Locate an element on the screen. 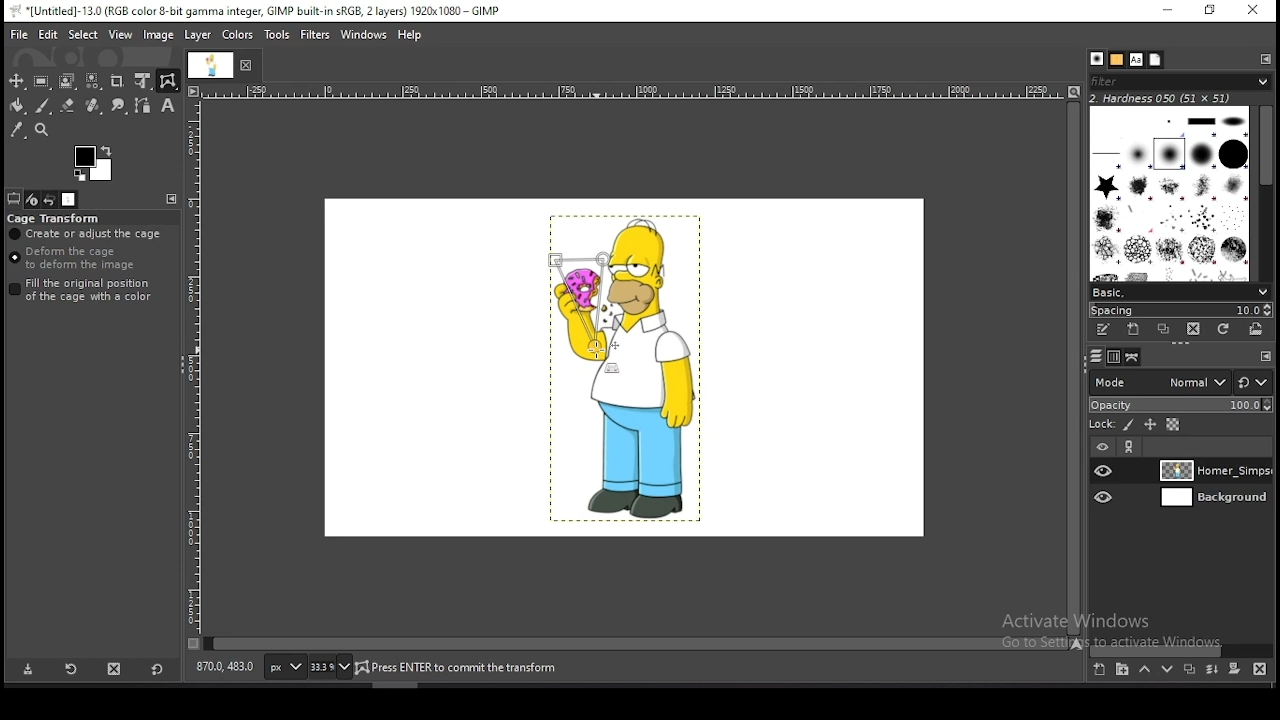 The height and width of the screenshot is (720, 1280). scroll bar is located at coordinates (1182, 649).